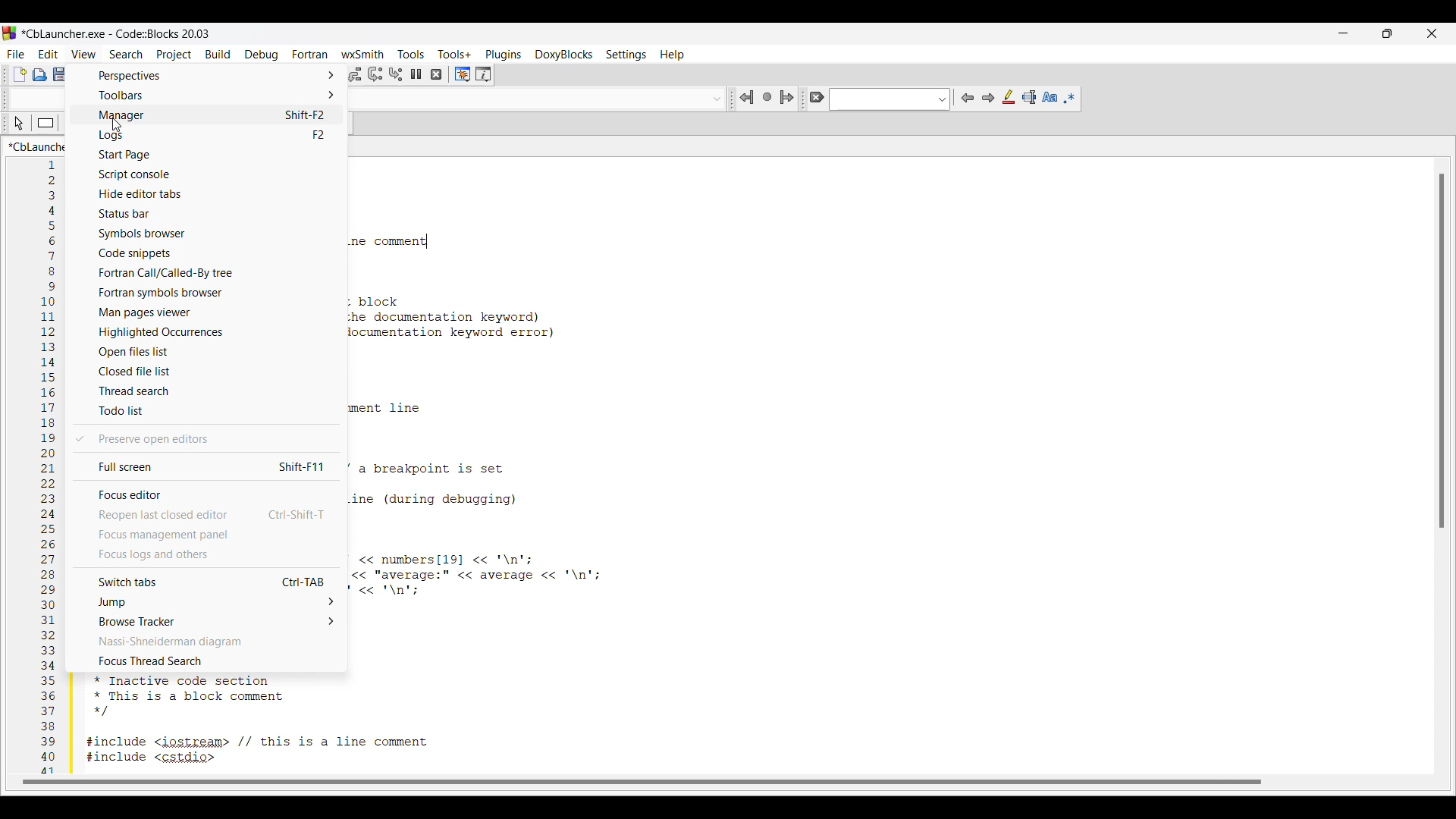  I want to click on Last jump, so click(767, 96).